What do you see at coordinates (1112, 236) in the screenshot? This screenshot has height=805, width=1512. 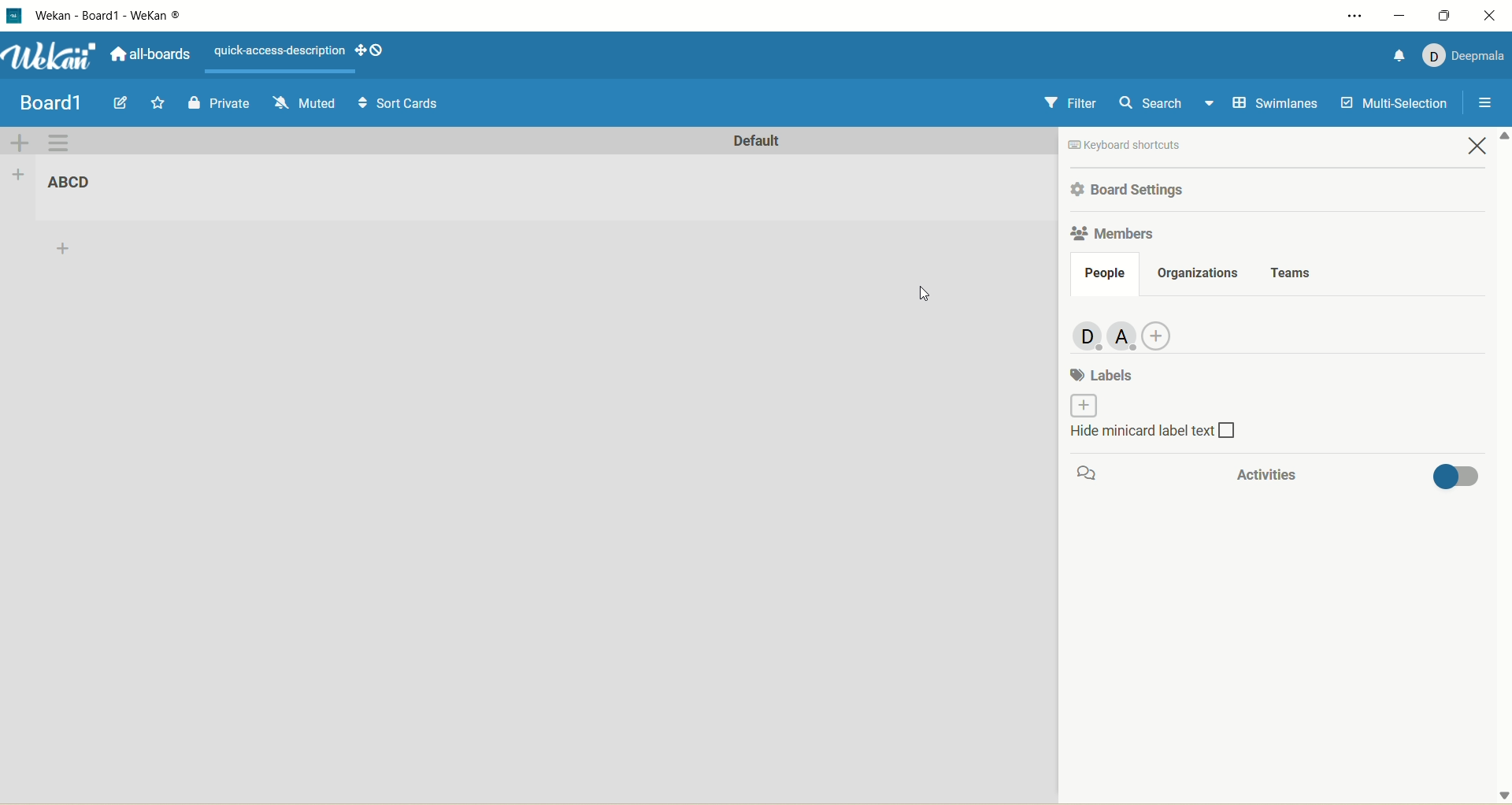 I see `members` at bounding box center [1112, 236].